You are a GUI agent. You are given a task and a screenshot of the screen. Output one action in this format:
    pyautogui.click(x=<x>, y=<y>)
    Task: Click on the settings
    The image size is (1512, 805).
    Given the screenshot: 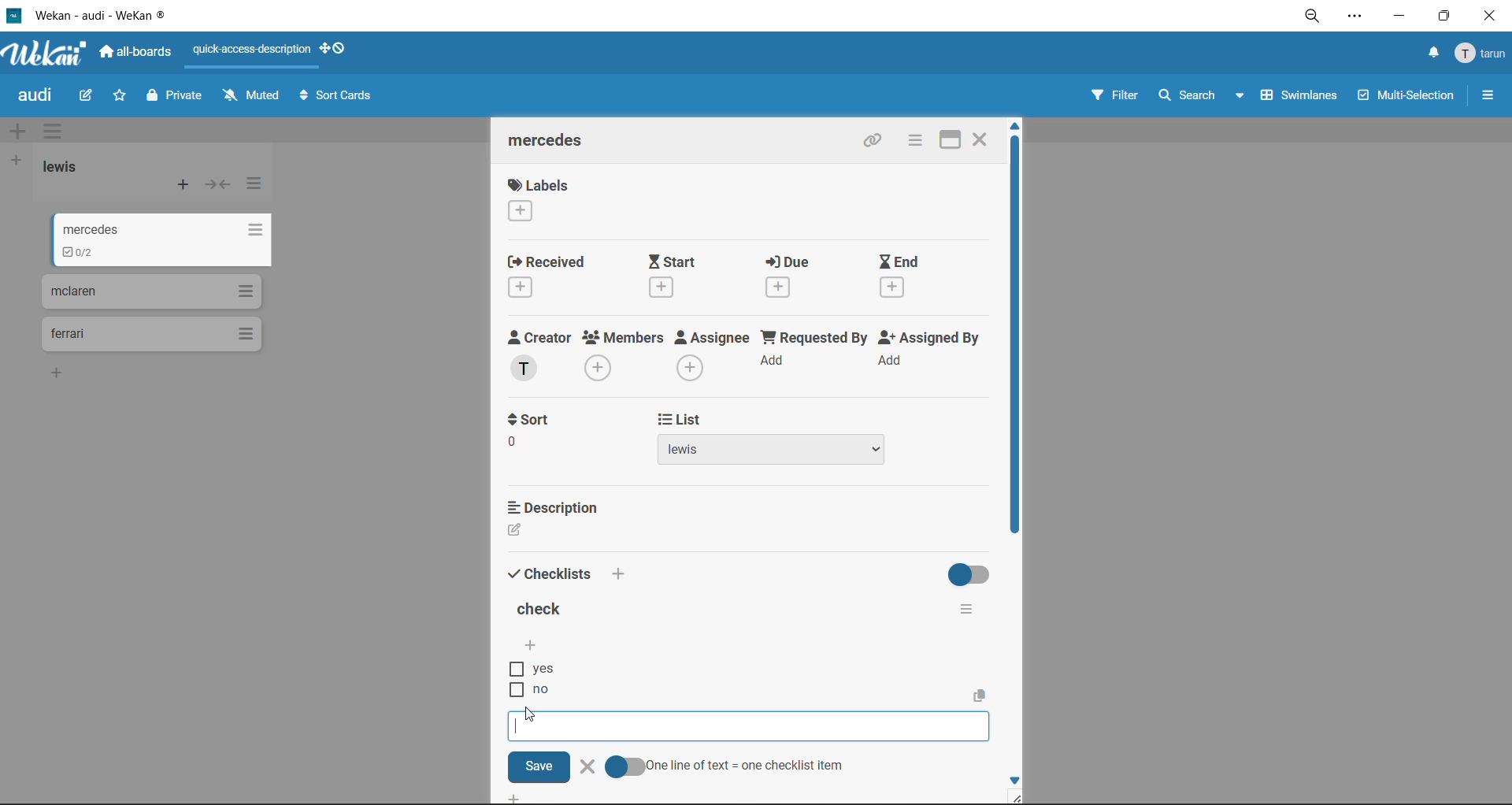 What is the action you would take?
    pyautogui.click(x=1355, y=16)
    